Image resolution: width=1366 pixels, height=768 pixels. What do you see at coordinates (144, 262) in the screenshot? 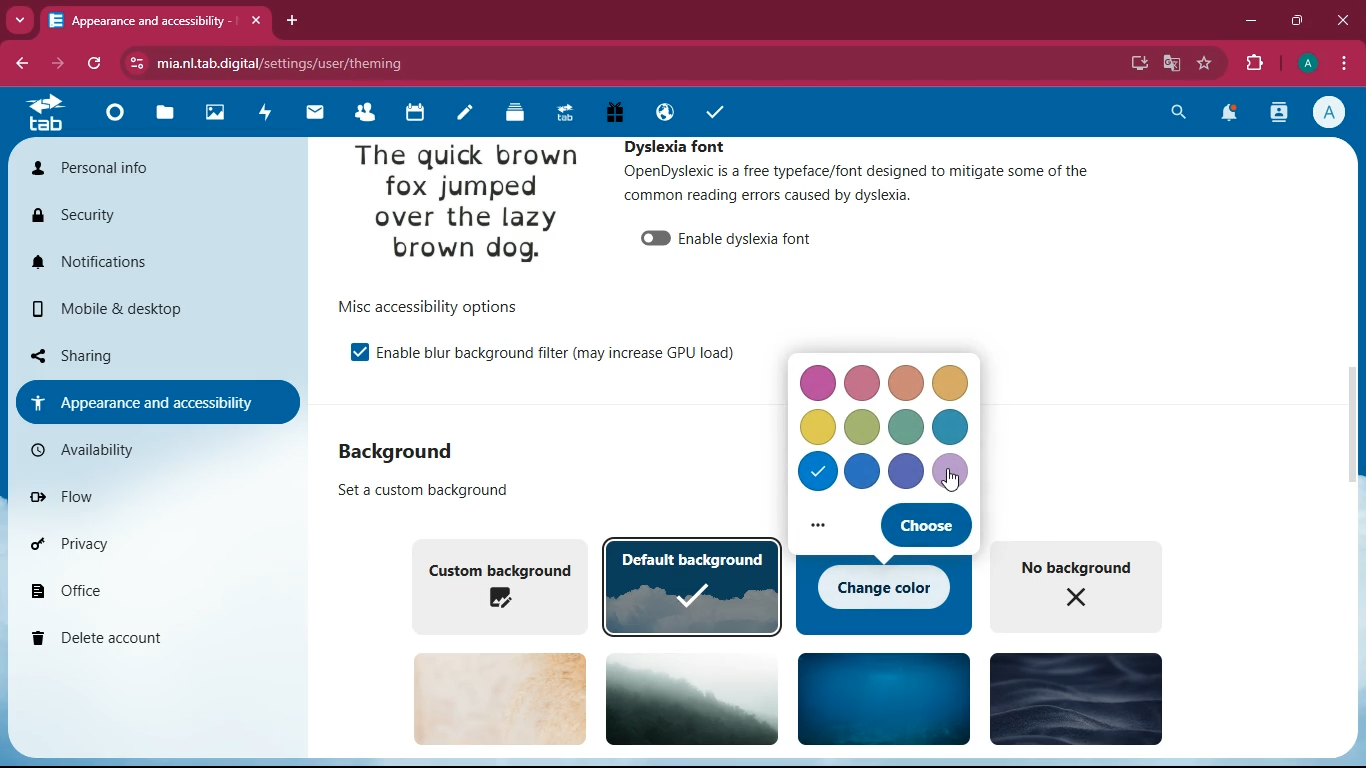
I see `notifications` at bounding box center [144, 262].